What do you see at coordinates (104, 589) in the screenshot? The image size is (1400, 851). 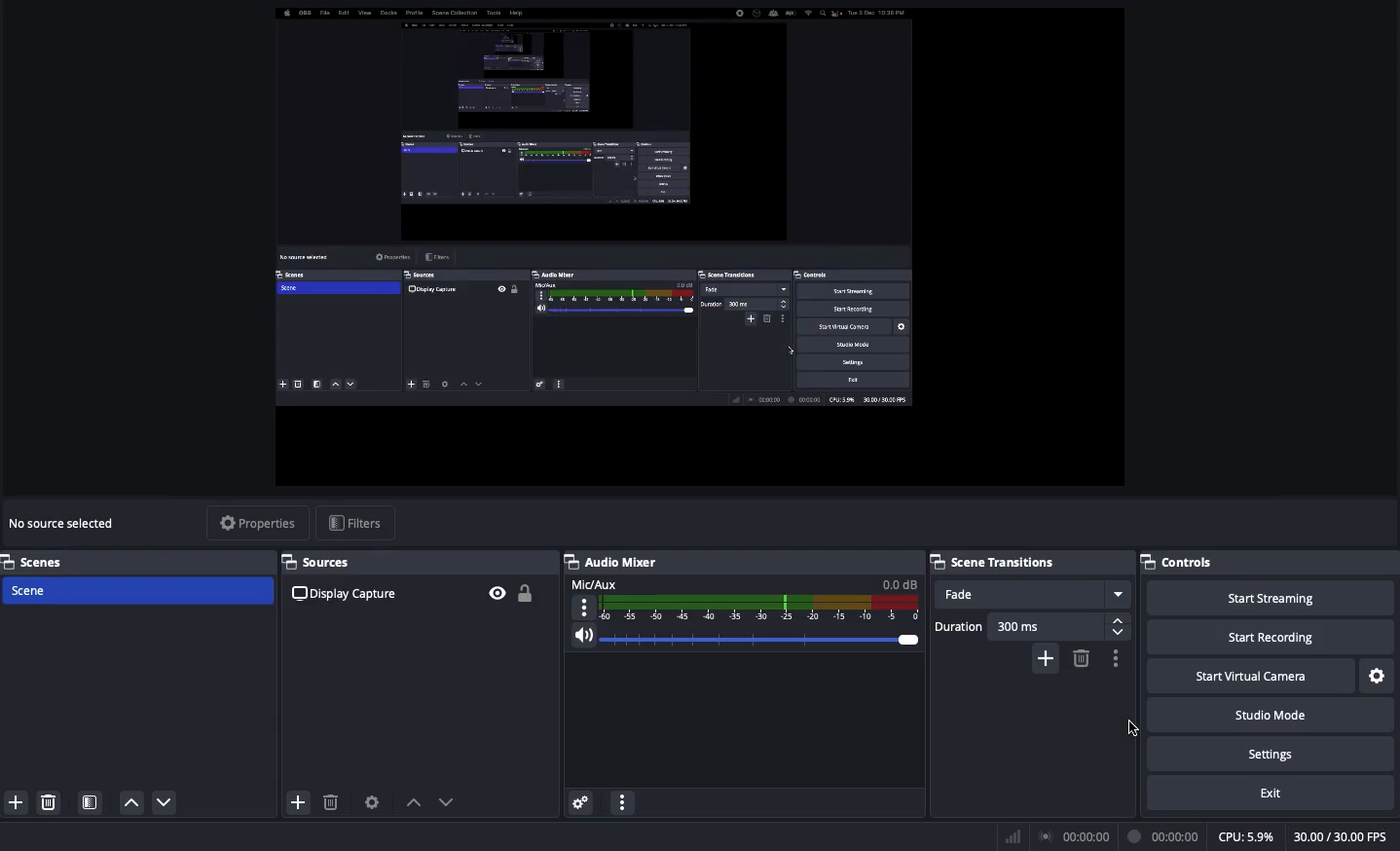 I see `Scen` at bounding box center [104, 589].